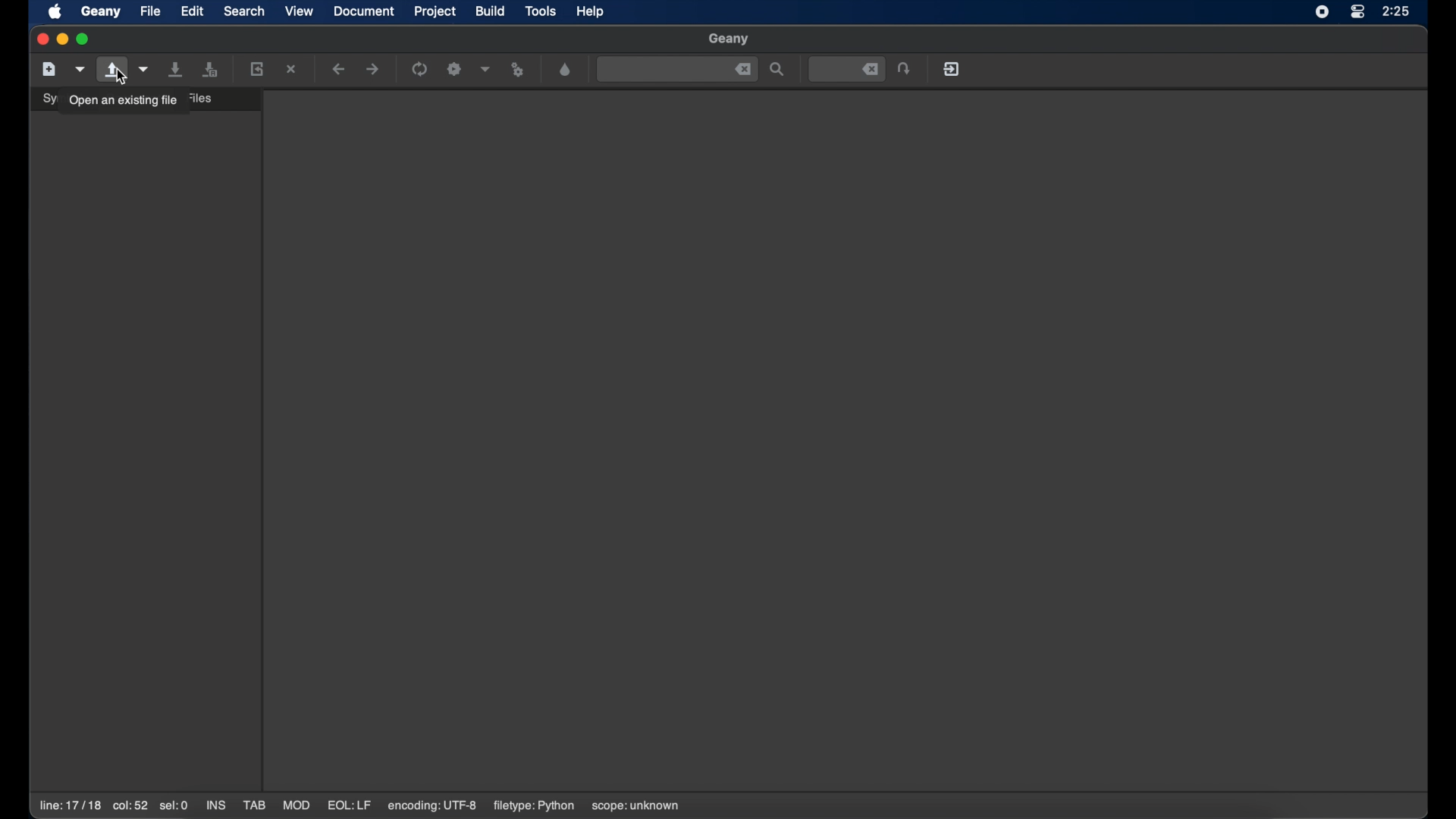 The width and height of the screenshot is (1456, 819). What do you see at coordinates (490, 11) in the screenshot?
I see `build` at bounding box center [490, 11].